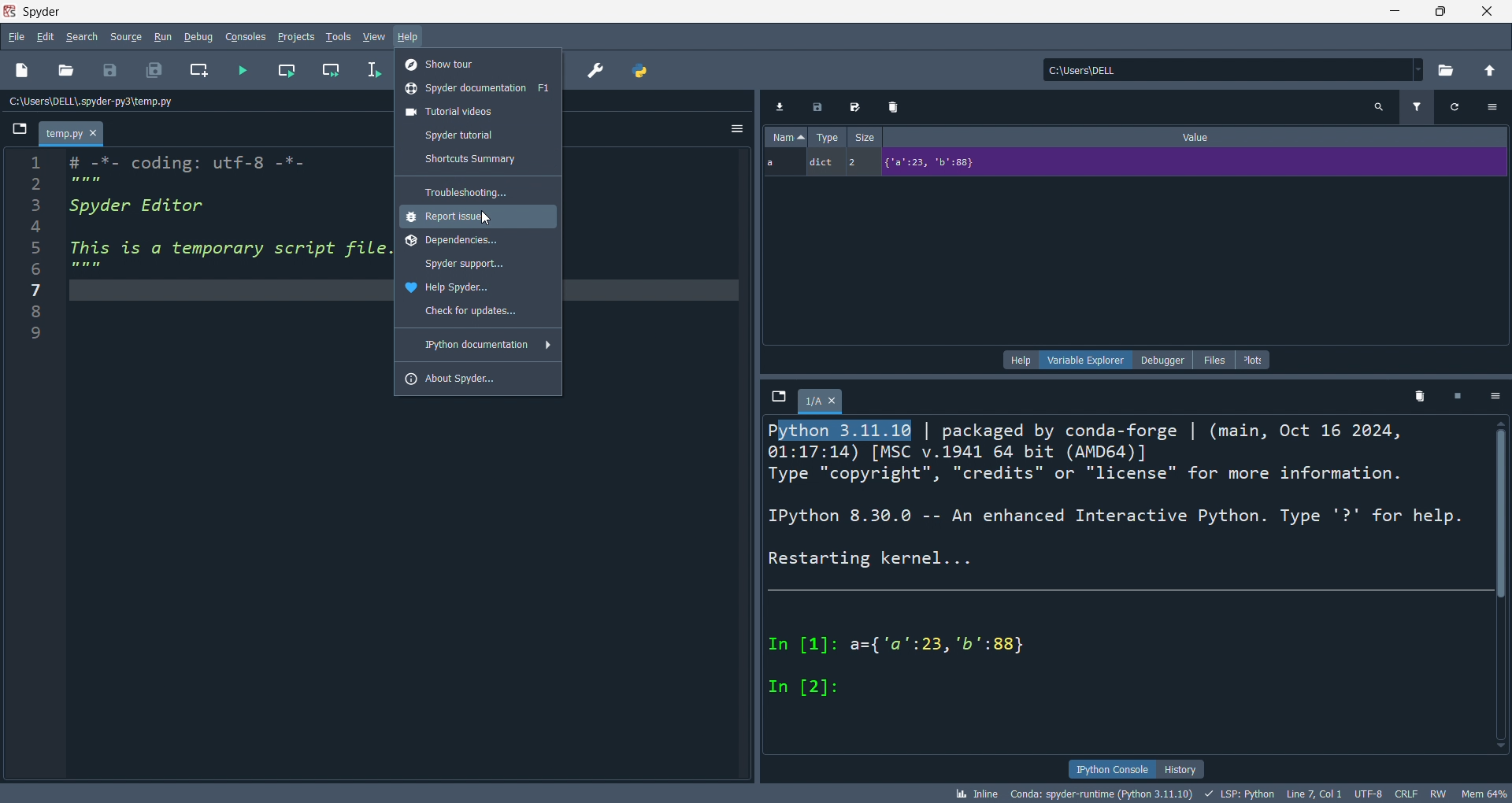 The image size is (1512, 803). What do you see at coordinates (821, 400) in the screenshot?
I see `1/A` at bounding box center [821, 400].